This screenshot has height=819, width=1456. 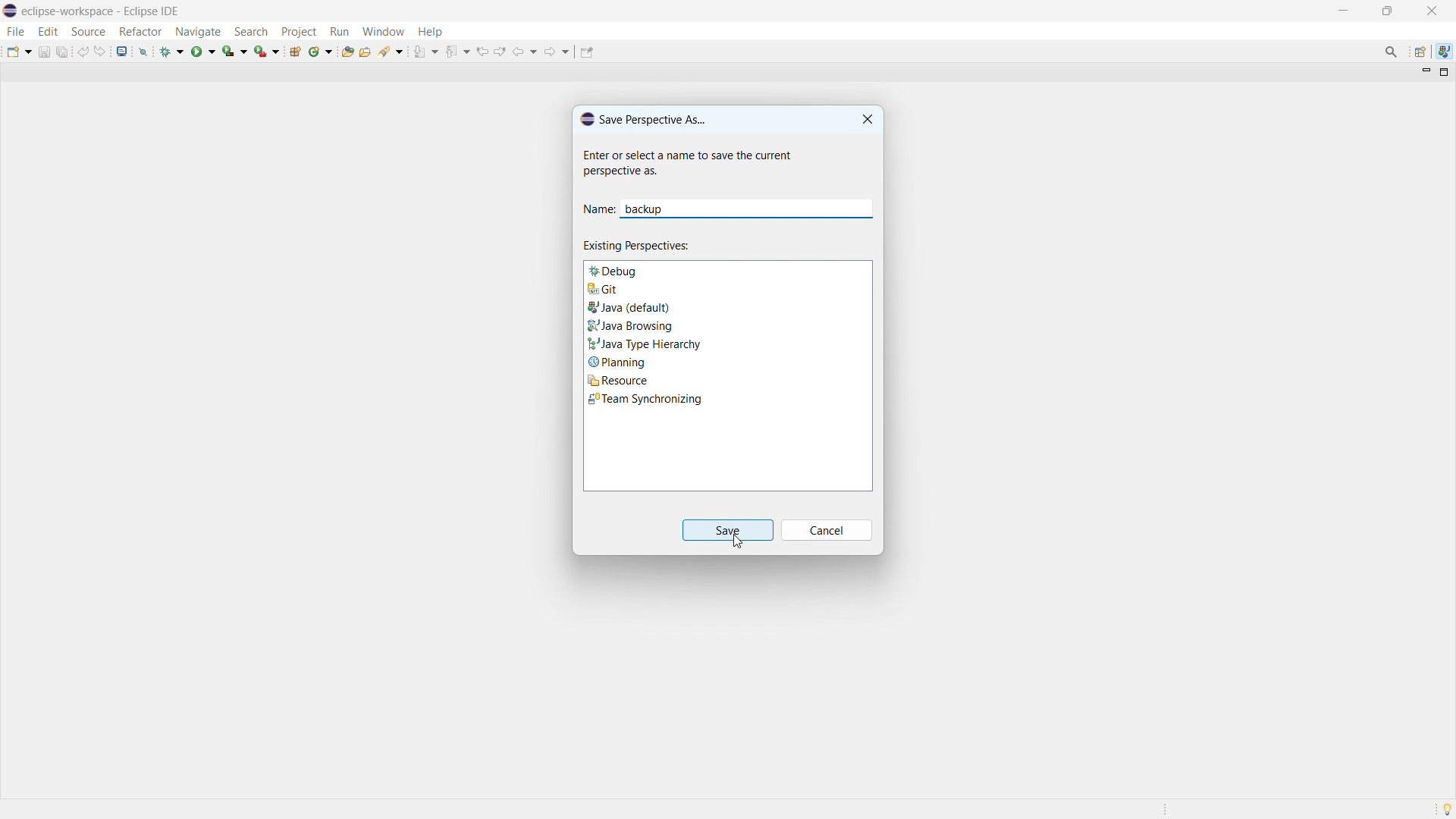 What do you see at coordinates (557, 51) in the screenshot?
I see `forward` at bounding box center [557, 51].